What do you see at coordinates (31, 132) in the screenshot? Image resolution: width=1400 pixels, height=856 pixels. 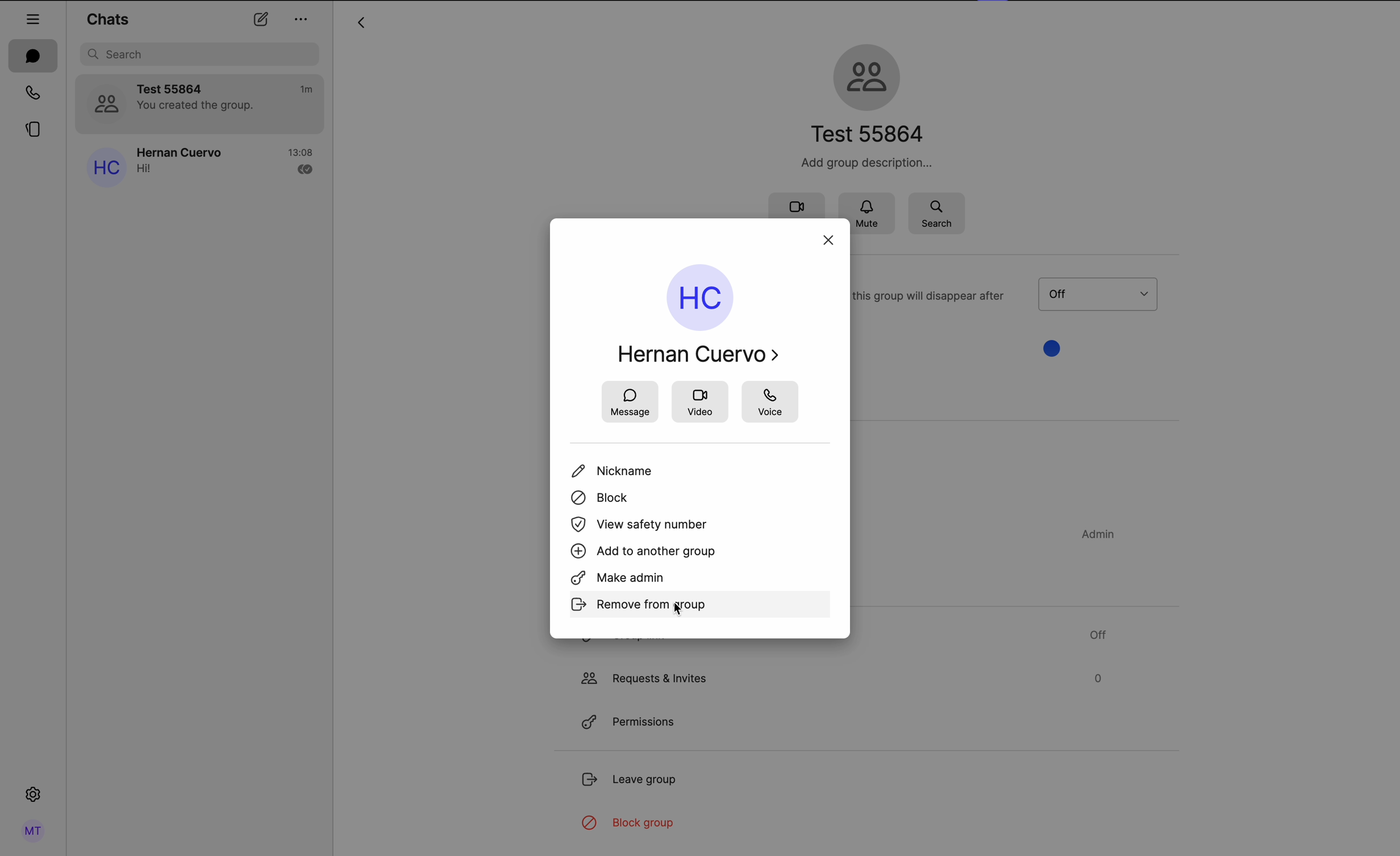 I see `stories` at bounding box center [31, 132].